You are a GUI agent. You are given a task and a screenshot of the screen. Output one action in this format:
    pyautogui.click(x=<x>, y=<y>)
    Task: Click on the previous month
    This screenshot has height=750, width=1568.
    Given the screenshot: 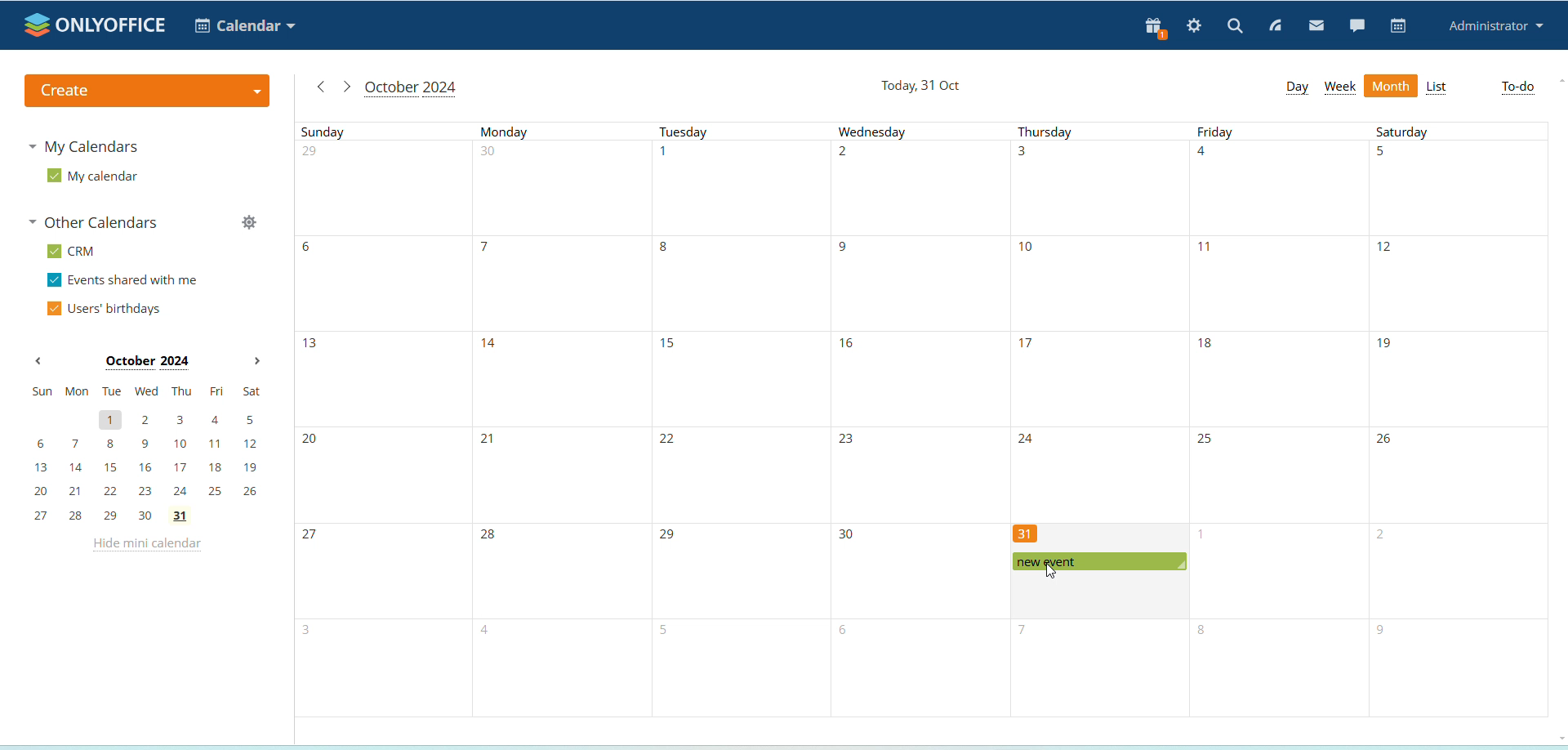 What is the action you would take?
    pyautogui.click(x=38, y=362)
    